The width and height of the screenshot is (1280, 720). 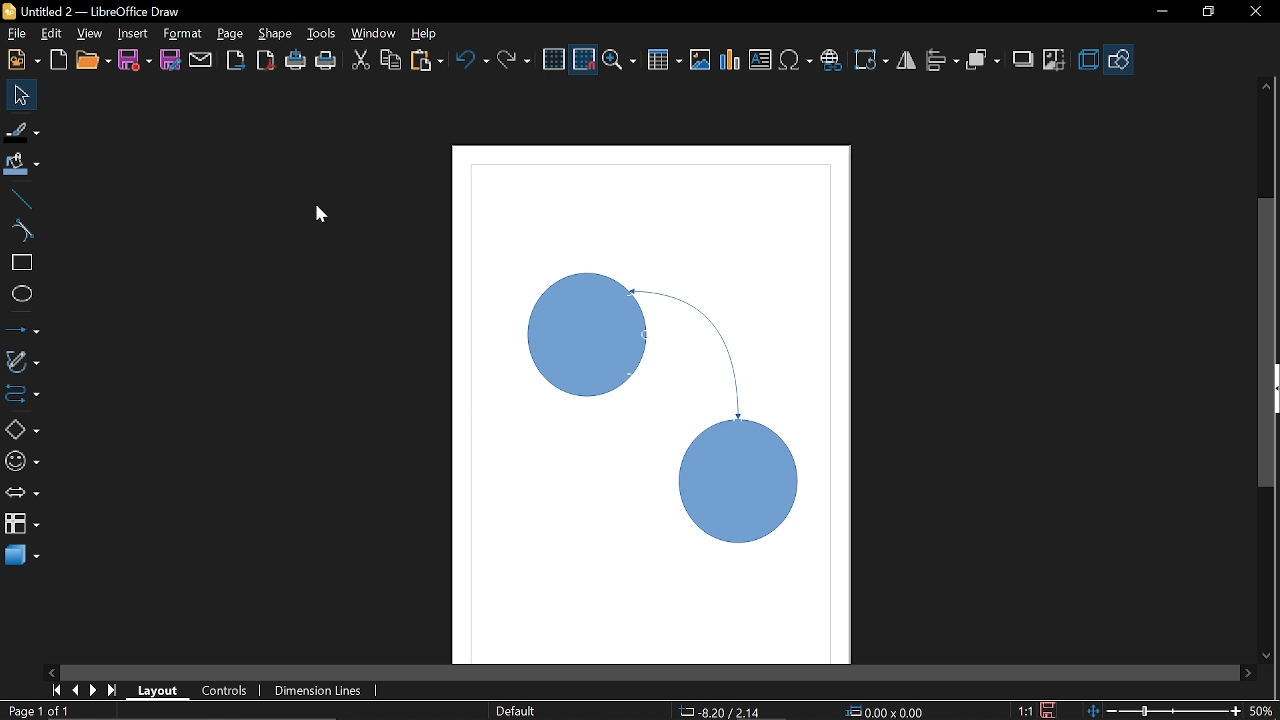 What do you see at coordinates (1026, 710) in the screenshot?
I see `Scaling factor` at bounding box center [1026, 710].